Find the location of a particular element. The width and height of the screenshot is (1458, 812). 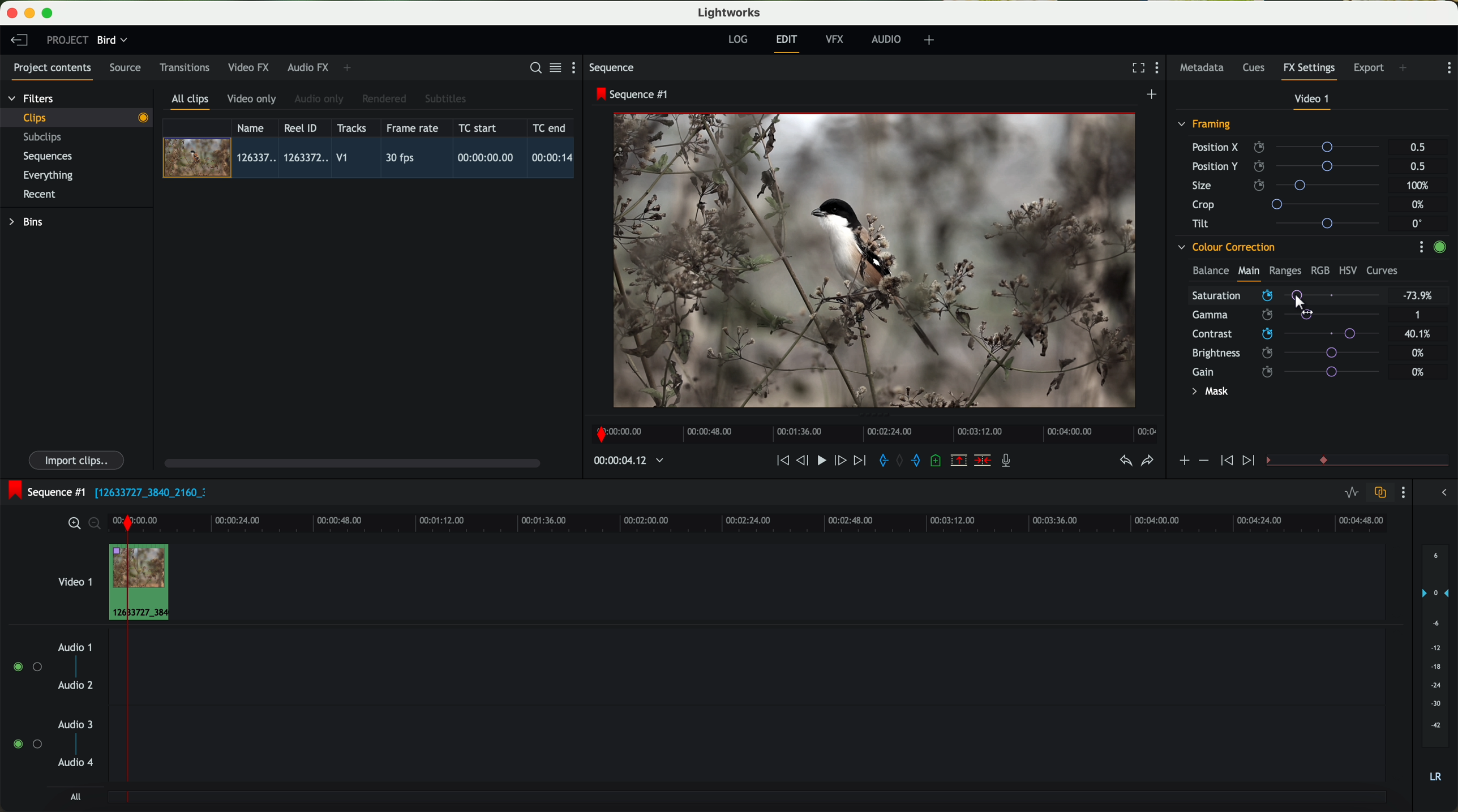

timeline is located at coordinates (871, 431).